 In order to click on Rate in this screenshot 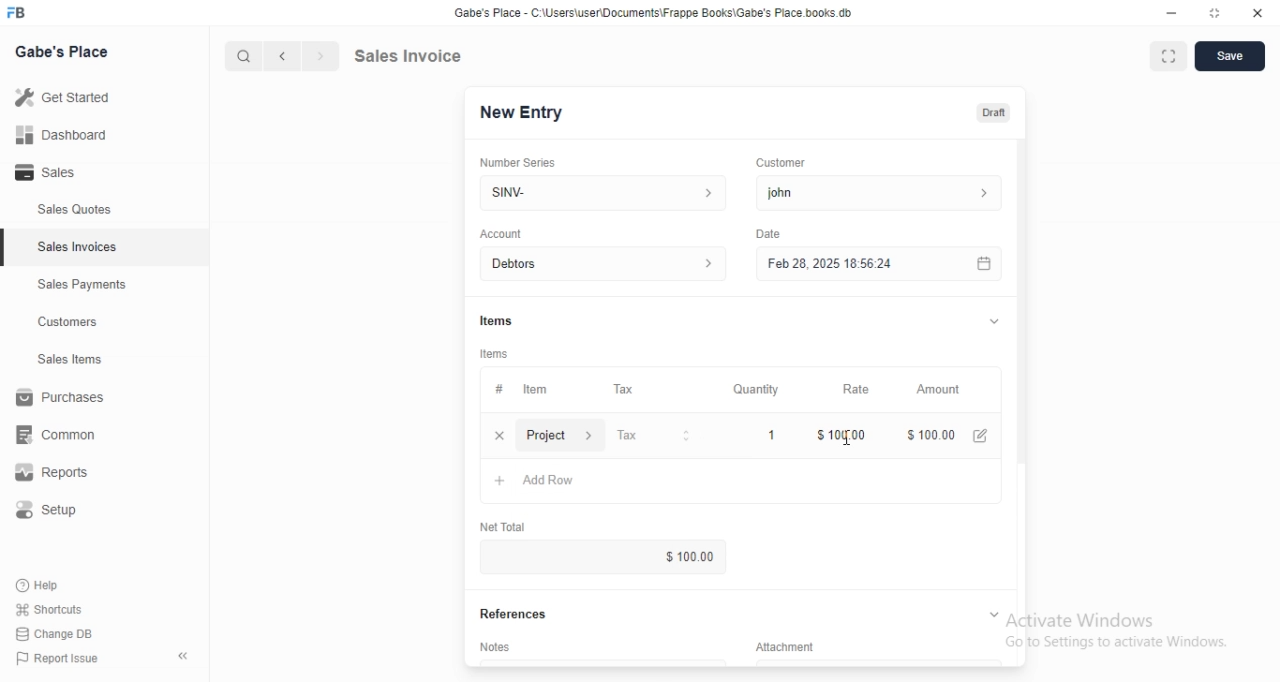, I will do `click(853, 389)`.